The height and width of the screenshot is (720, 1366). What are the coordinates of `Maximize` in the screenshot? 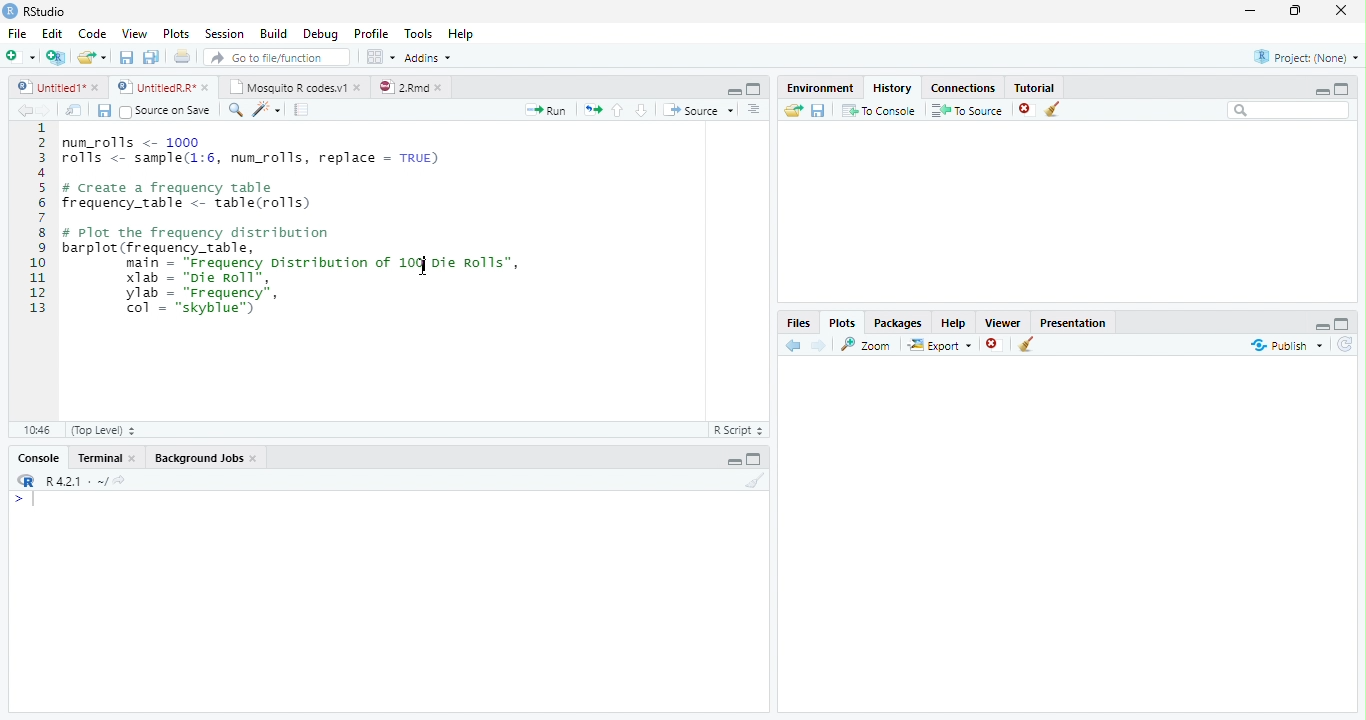 It's located at (1296, 11).